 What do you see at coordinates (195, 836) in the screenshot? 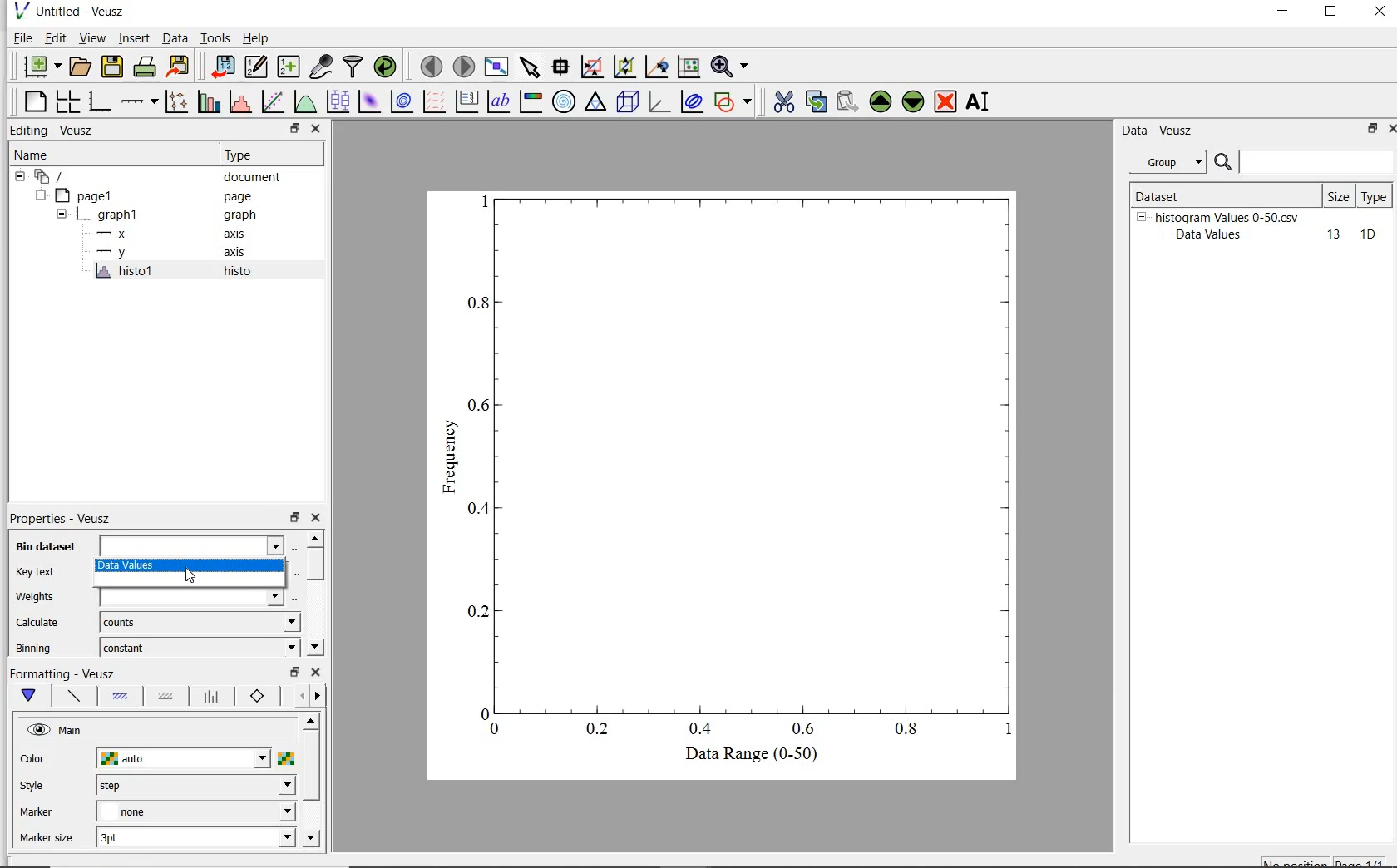
I see `3 pt ` at bounding box center [195, 836].